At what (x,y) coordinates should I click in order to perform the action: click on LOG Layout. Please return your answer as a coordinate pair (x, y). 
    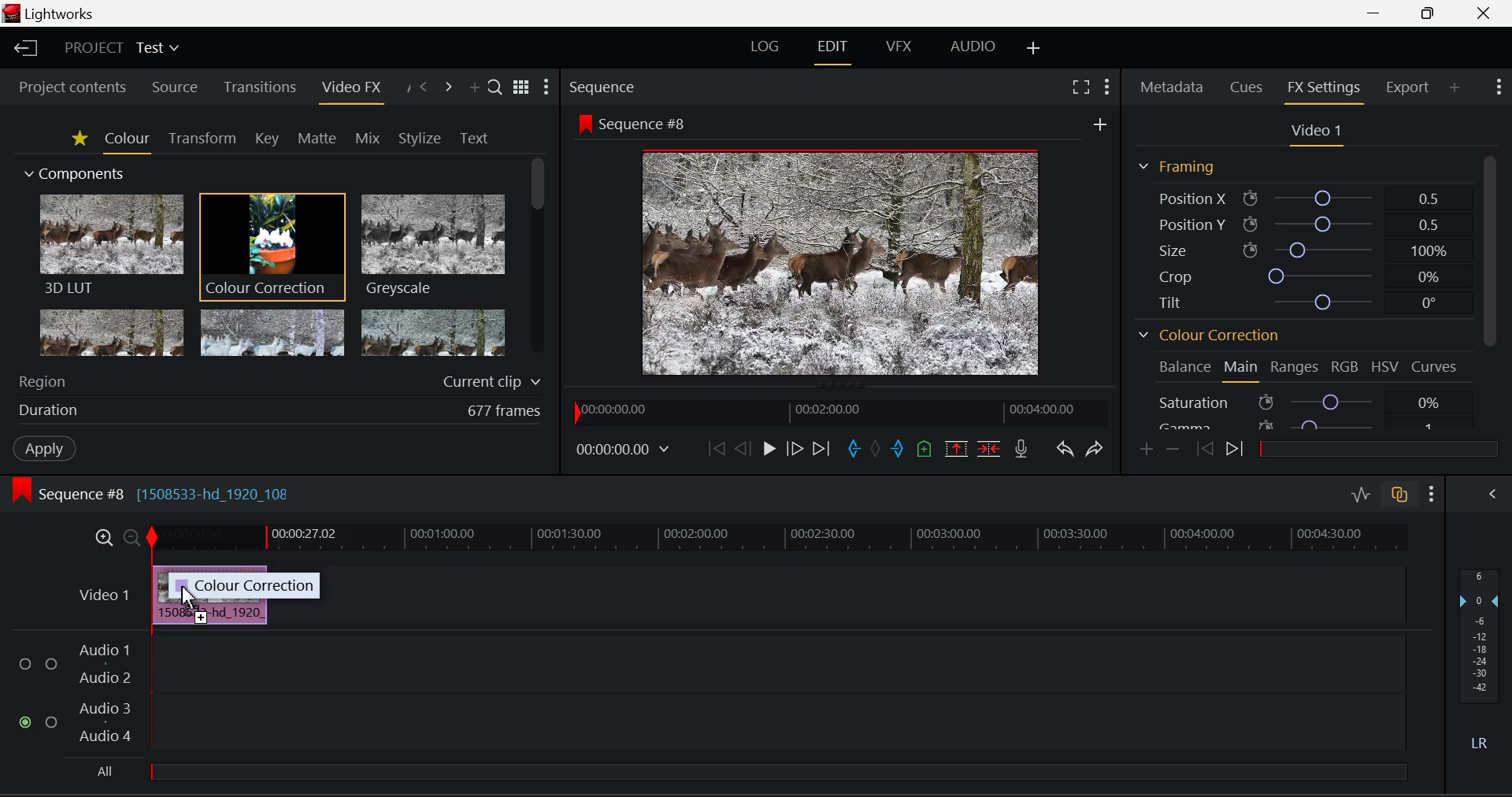
    Looking at the image, I should click on (767, 50).